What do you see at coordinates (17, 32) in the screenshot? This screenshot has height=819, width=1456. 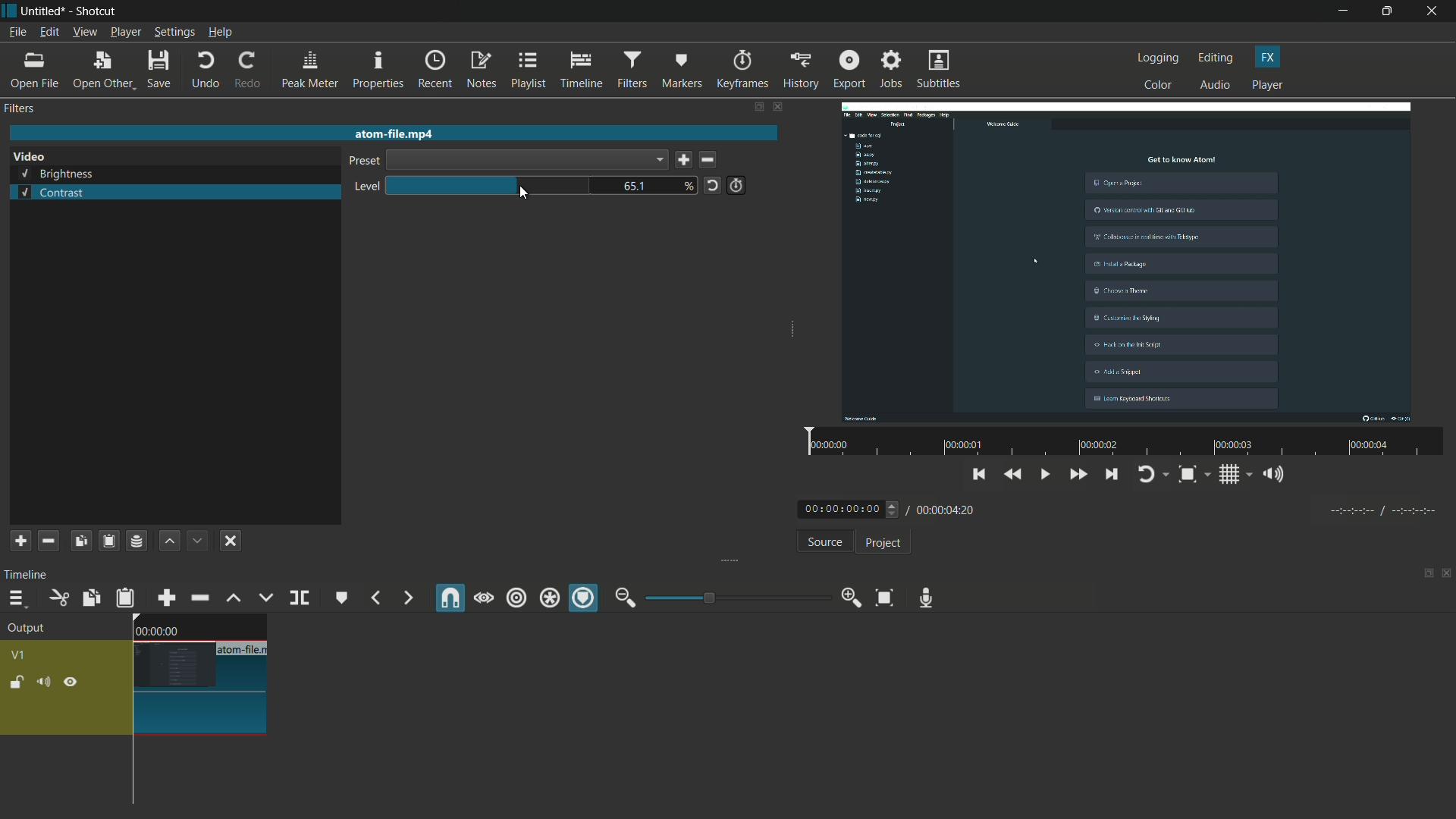 I see `file menu` at bounding box center [17, 32].